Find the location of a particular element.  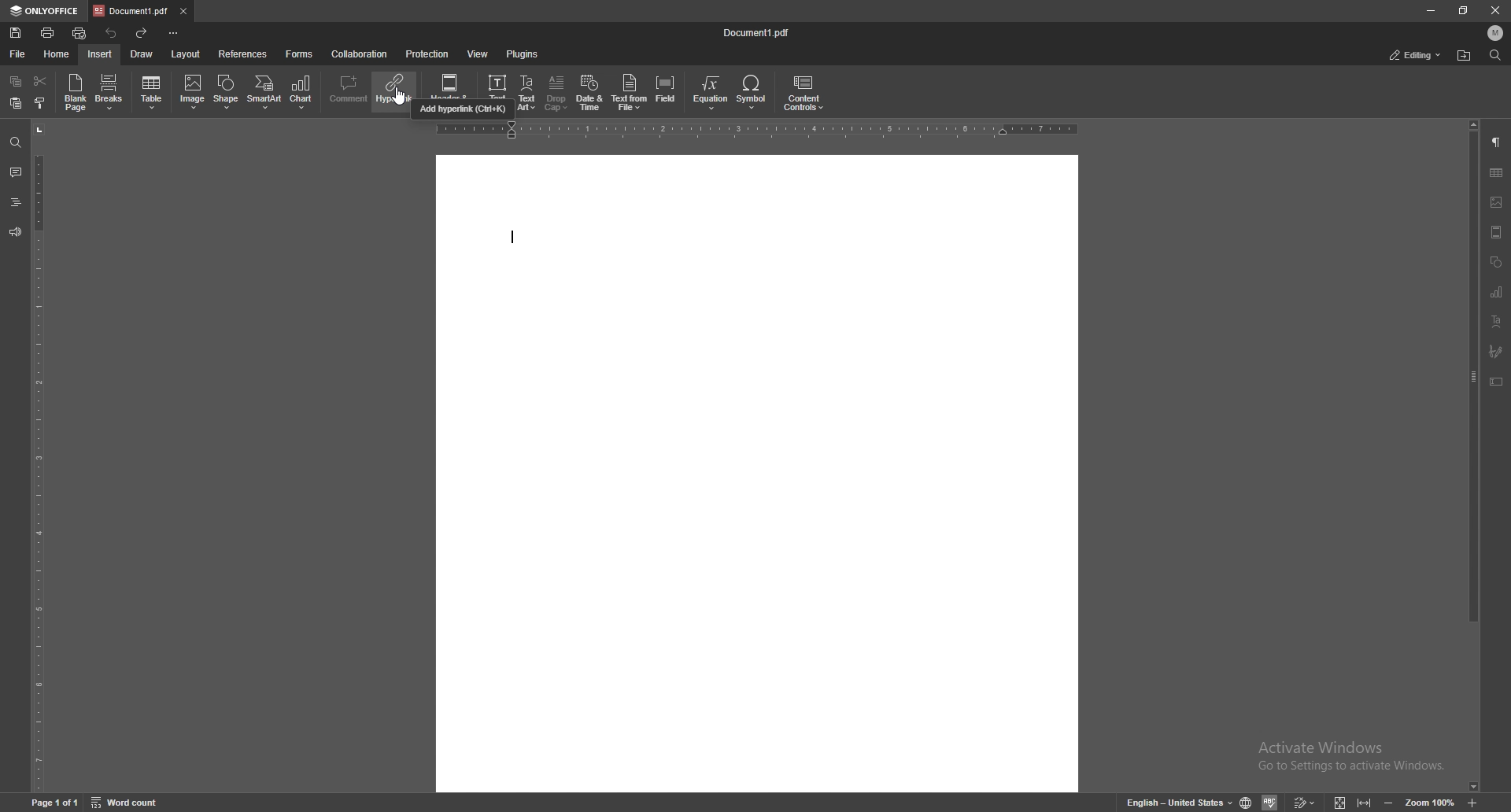

find is located at coordinates (14, 141).